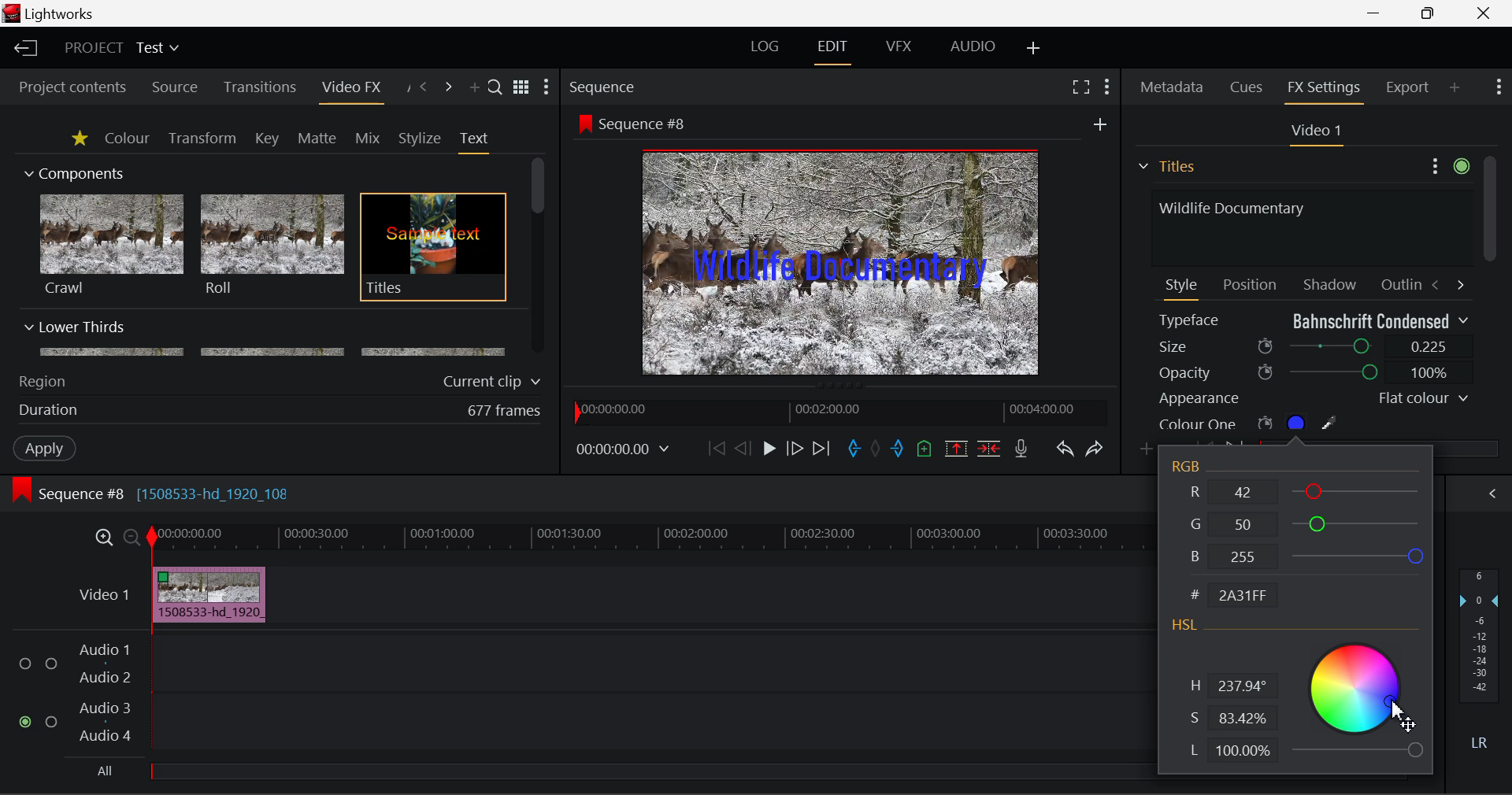 The image size is (1512, 795). What do you see at coordinates (794, 449) in the screenshot?
I see `Go Forward` at bounding box center [794, 449].